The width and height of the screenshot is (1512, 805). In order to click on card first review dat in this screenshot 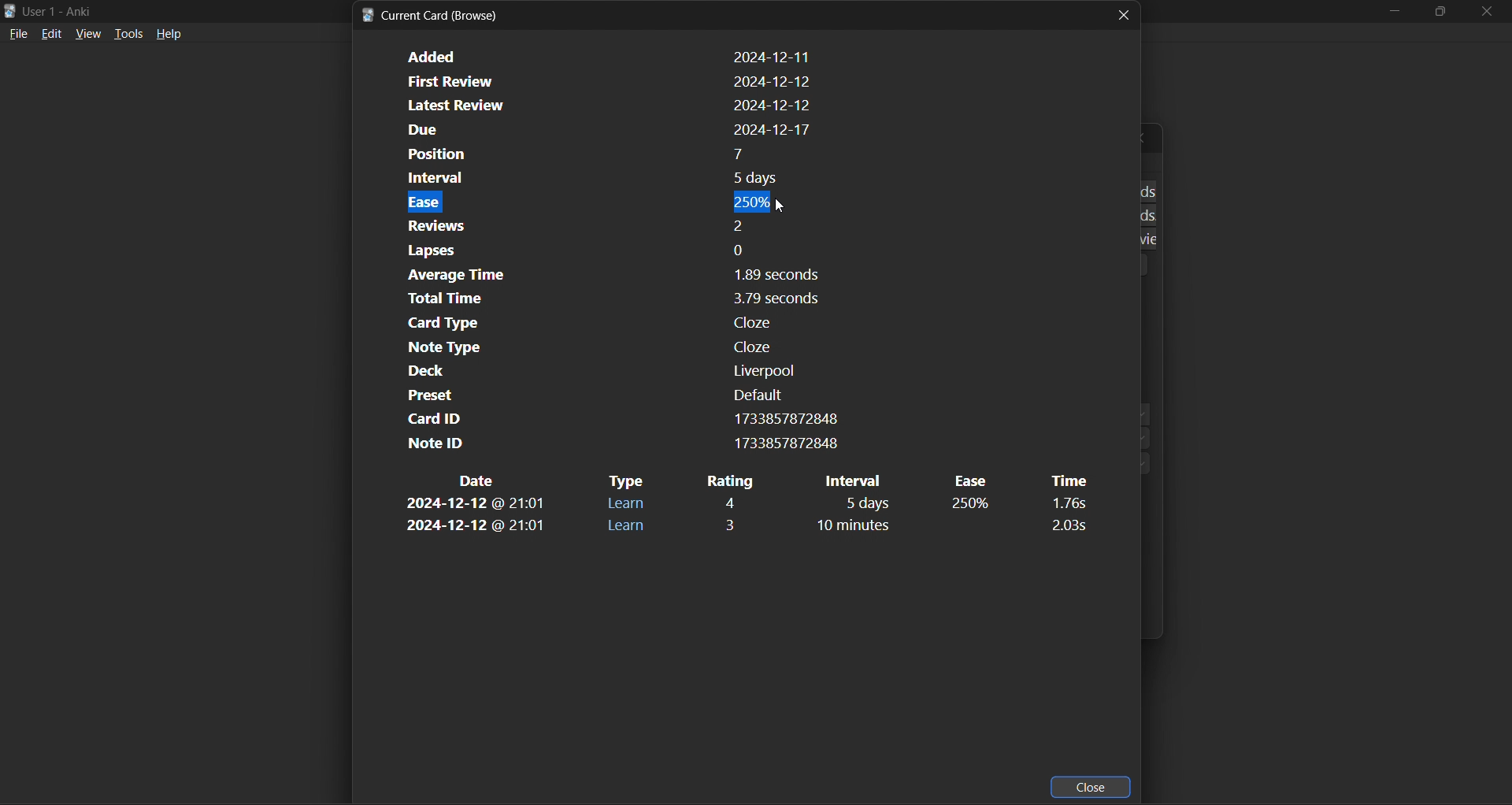, I will do `click(605, 80)`.